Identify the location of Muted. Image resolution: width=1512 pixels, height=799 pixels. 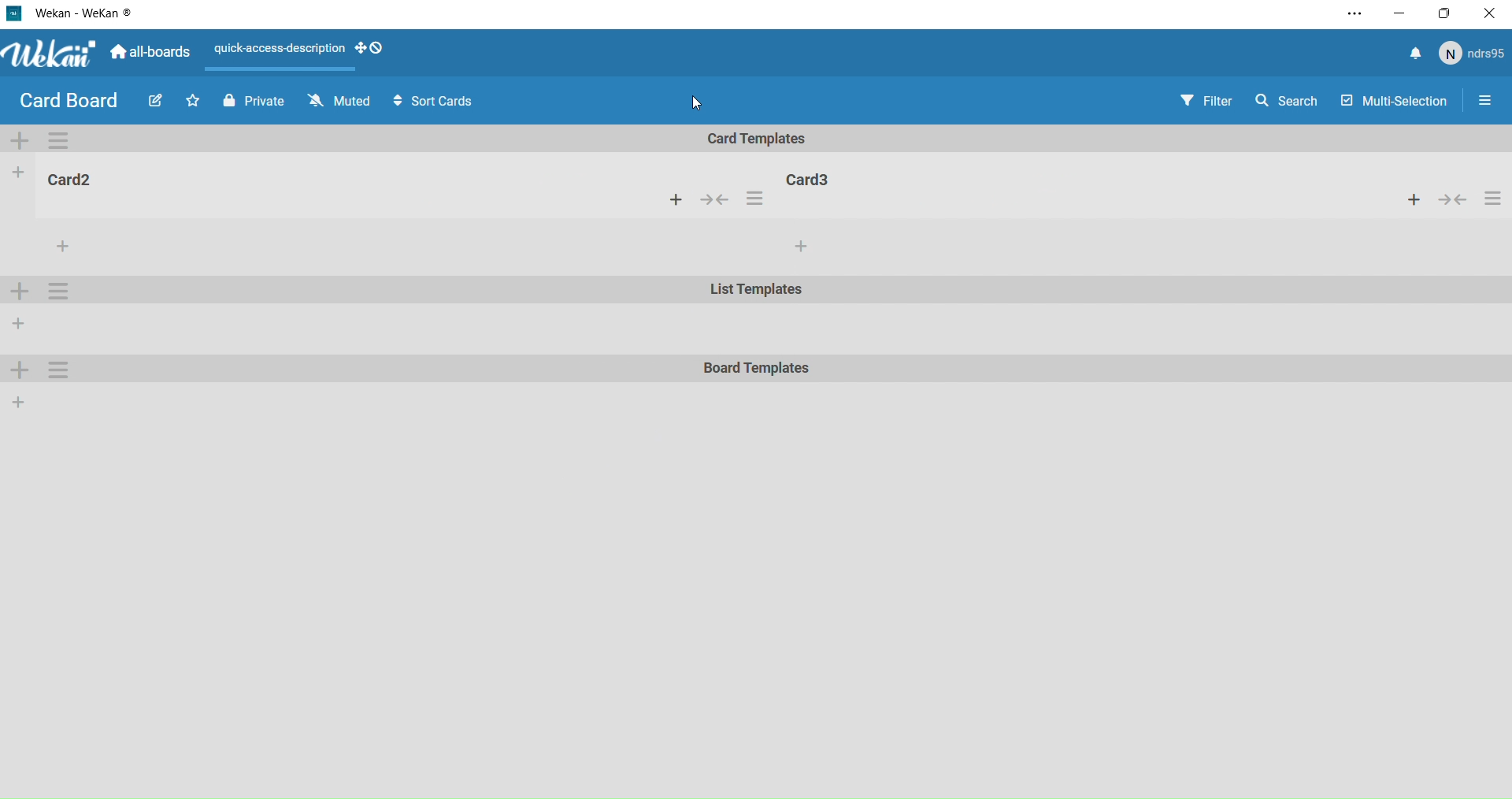
(341, 101).